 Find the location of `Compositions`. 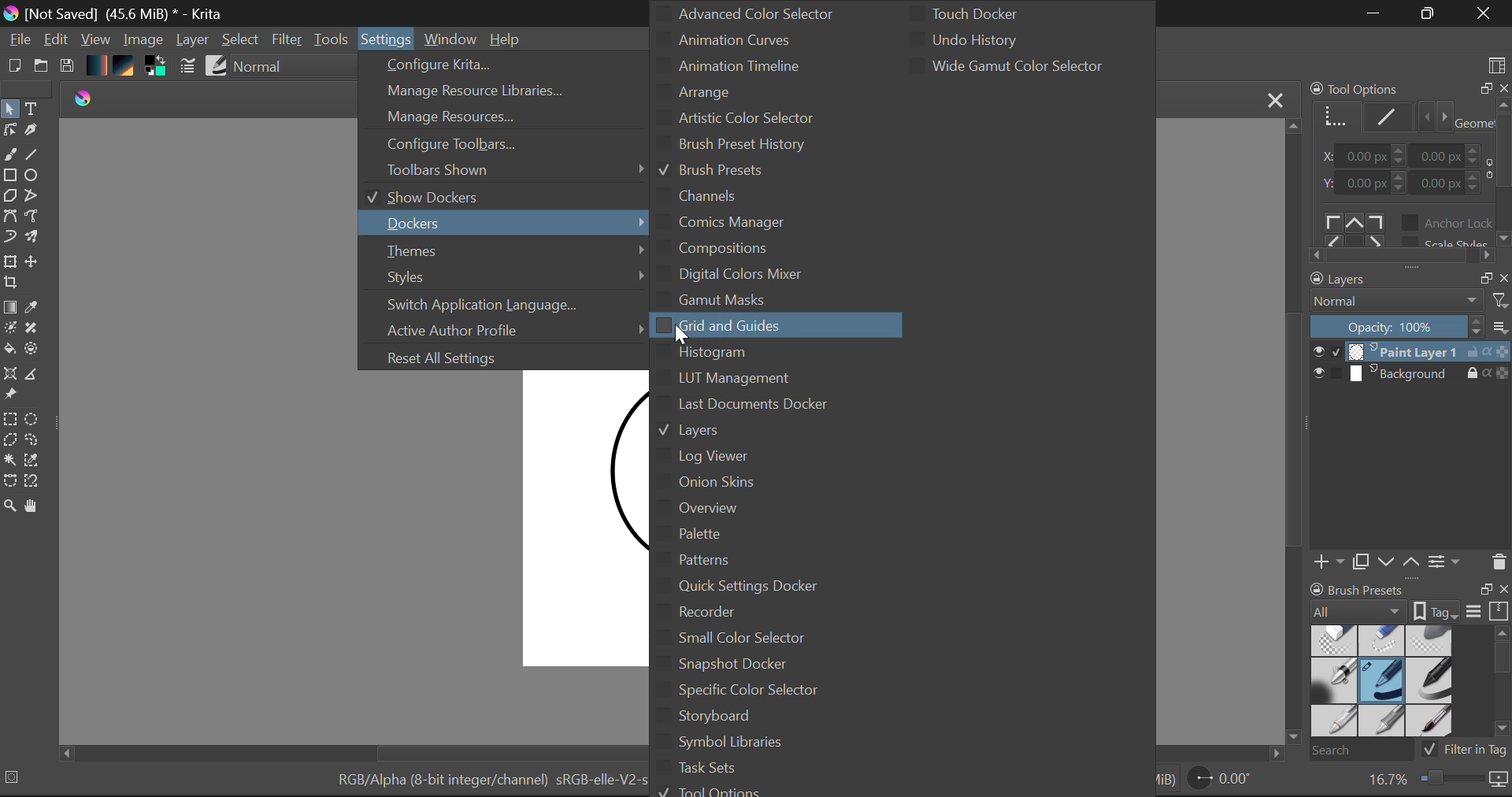

Compositions is located at coordinates (792, 249).